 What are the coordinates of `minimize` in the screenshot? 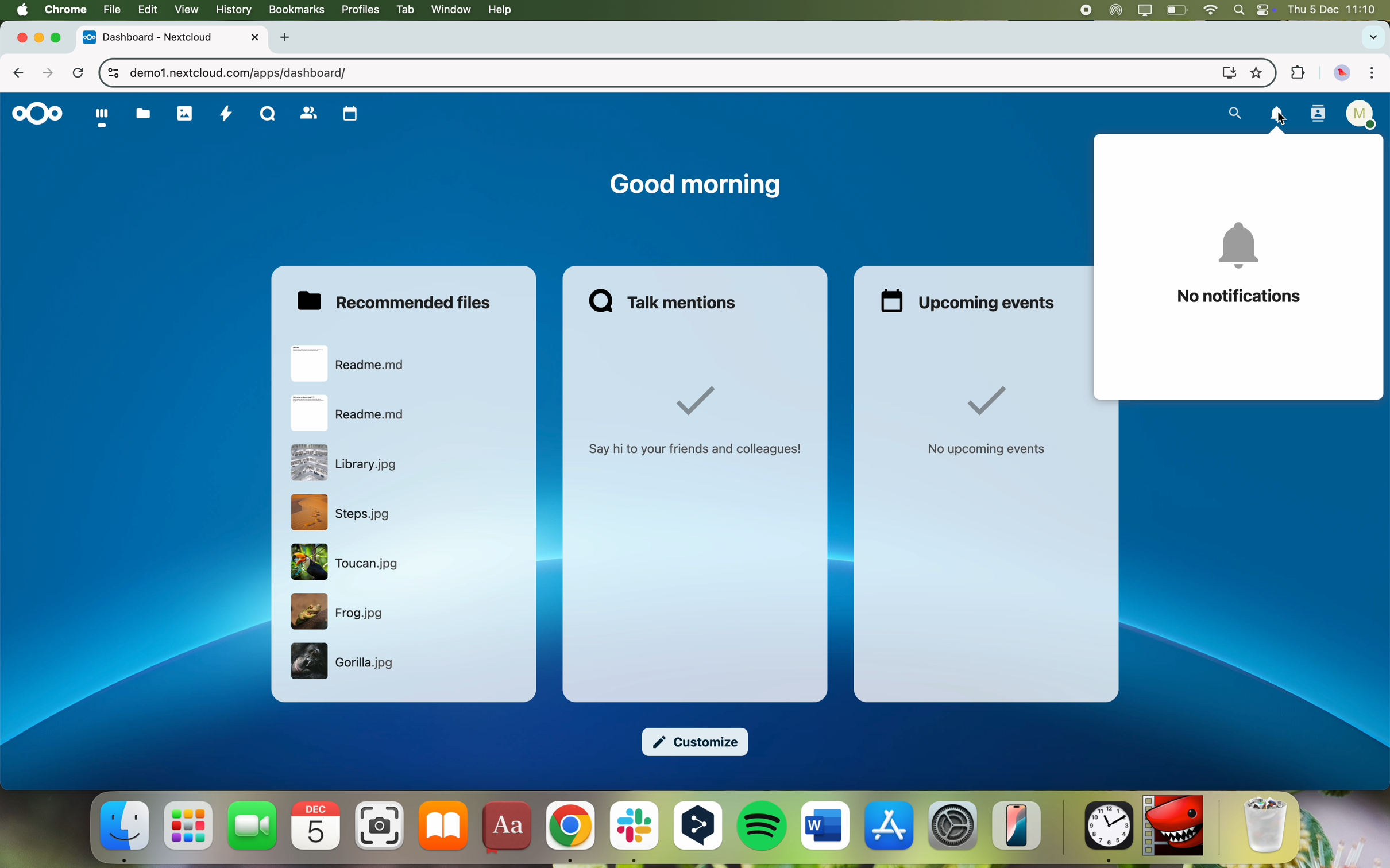 It's located at (39, 39).